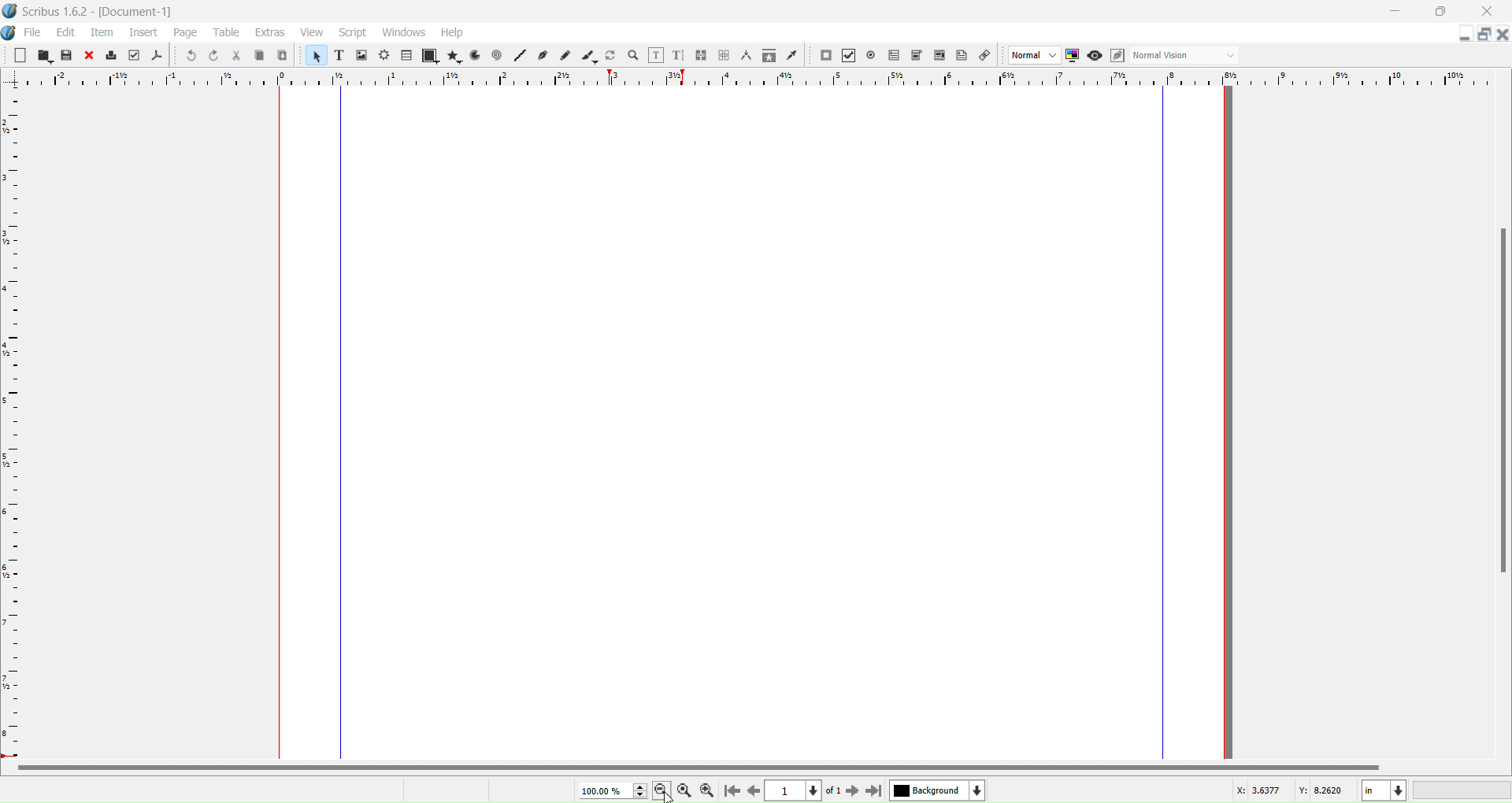  What do you see at coordinates (429, 57) in the screenshot?
I see `Shape` at bounding box center [429, 57].